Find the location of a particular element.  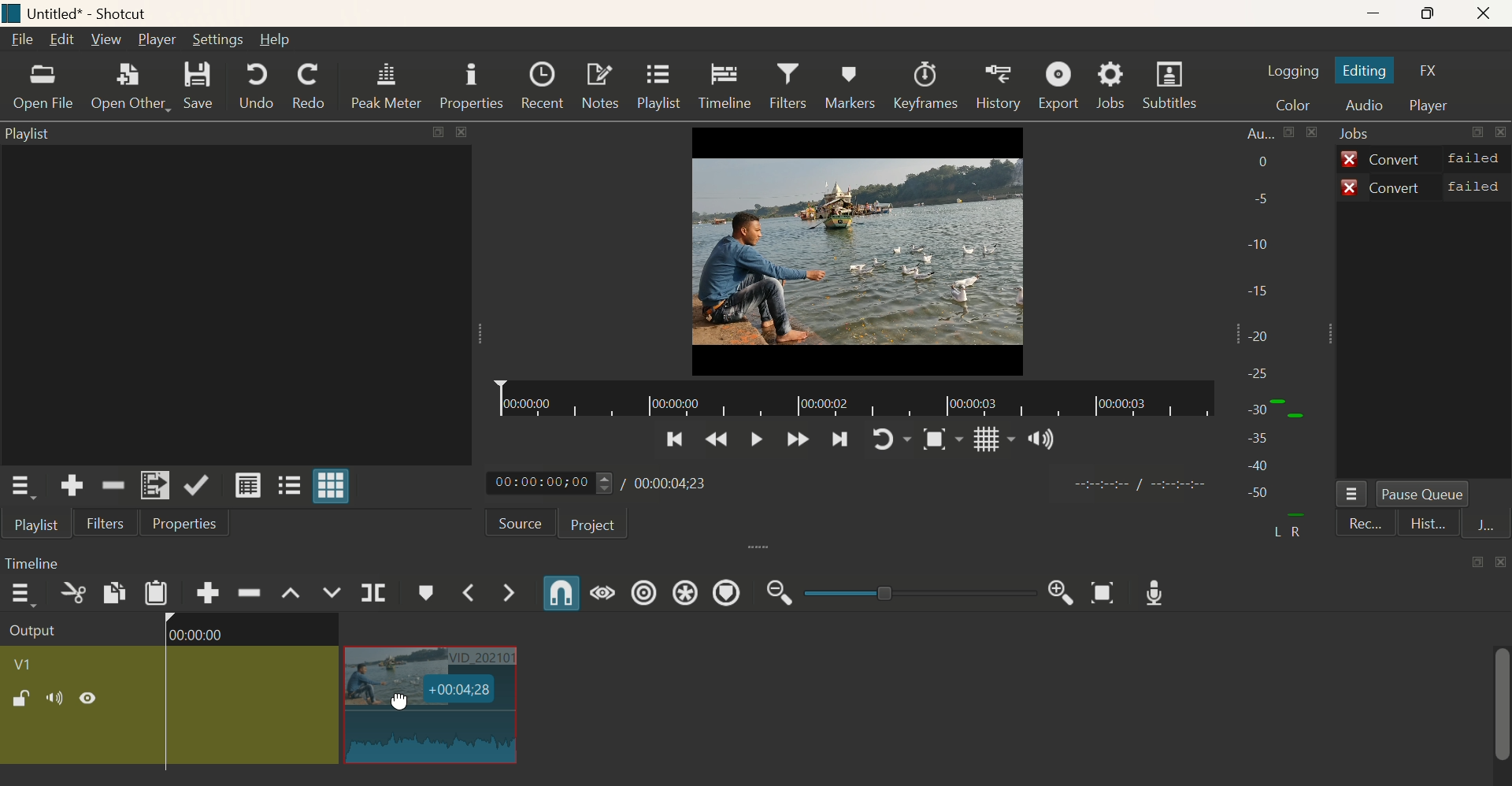

Peak Meter is located at coordinates (387, 85).